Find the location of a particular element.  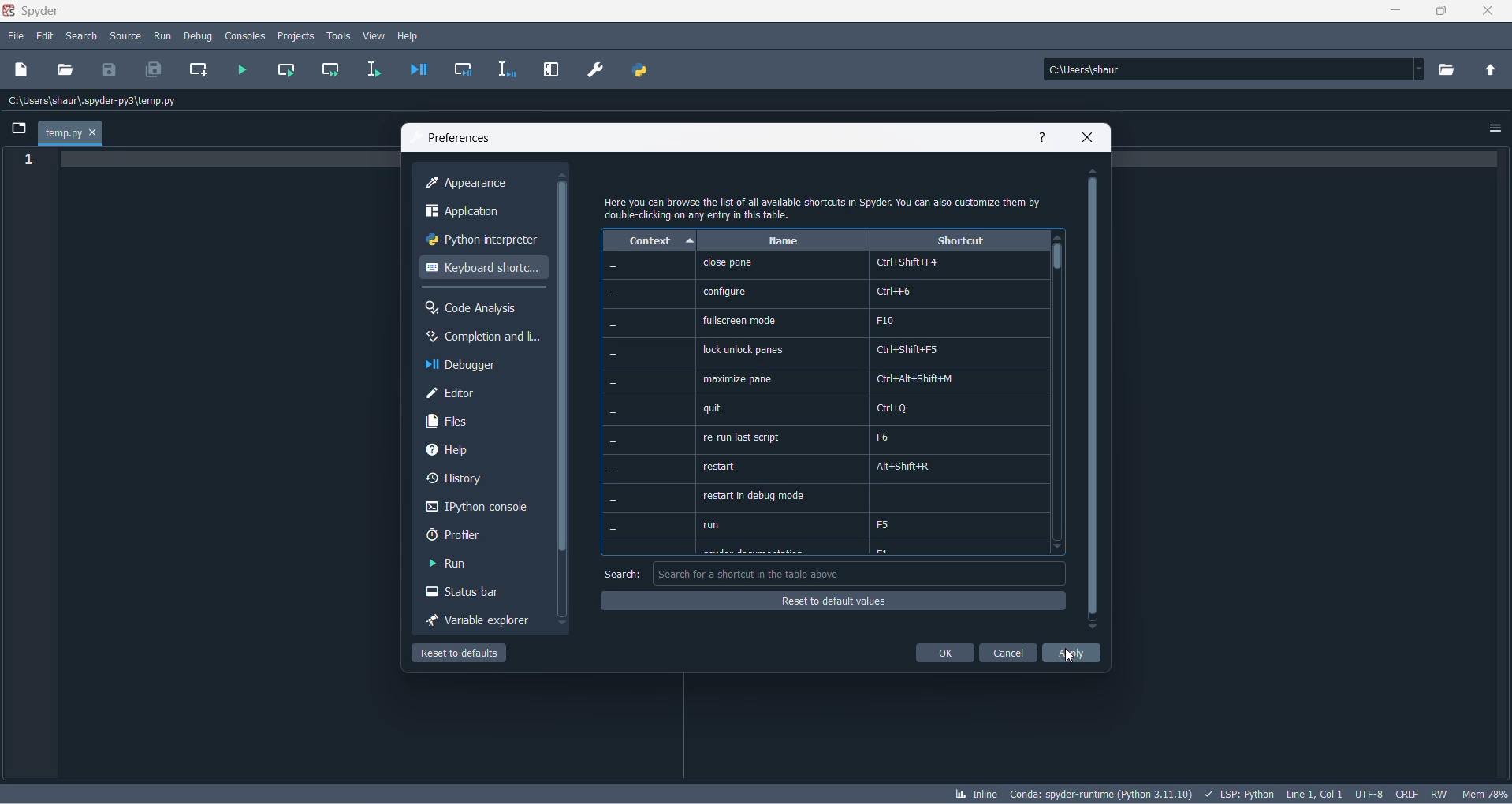

‘maximize pane is located at coordinates (736, 378).